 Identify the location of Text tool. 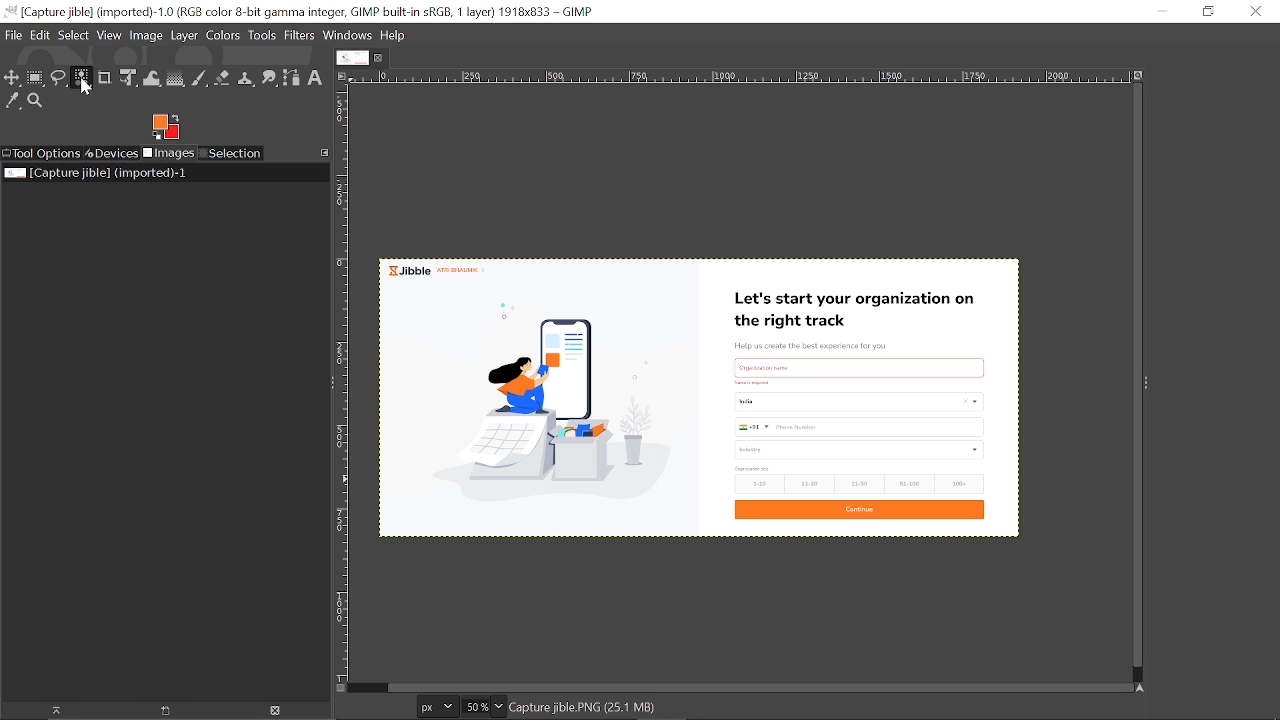
(314, 78).